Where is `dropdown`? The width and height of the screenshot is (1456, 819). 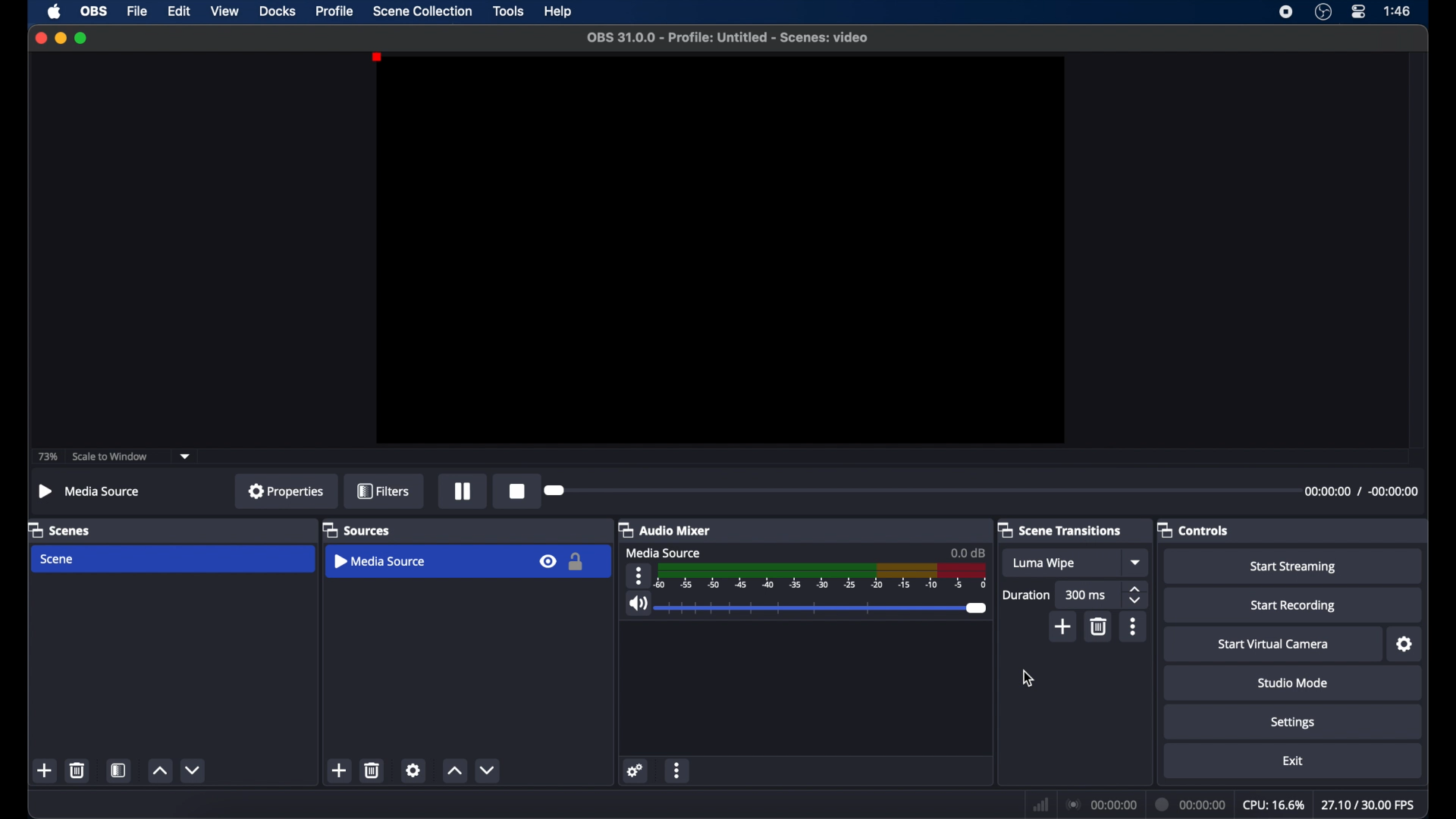
dropdown is located at coordinates (185, 457).